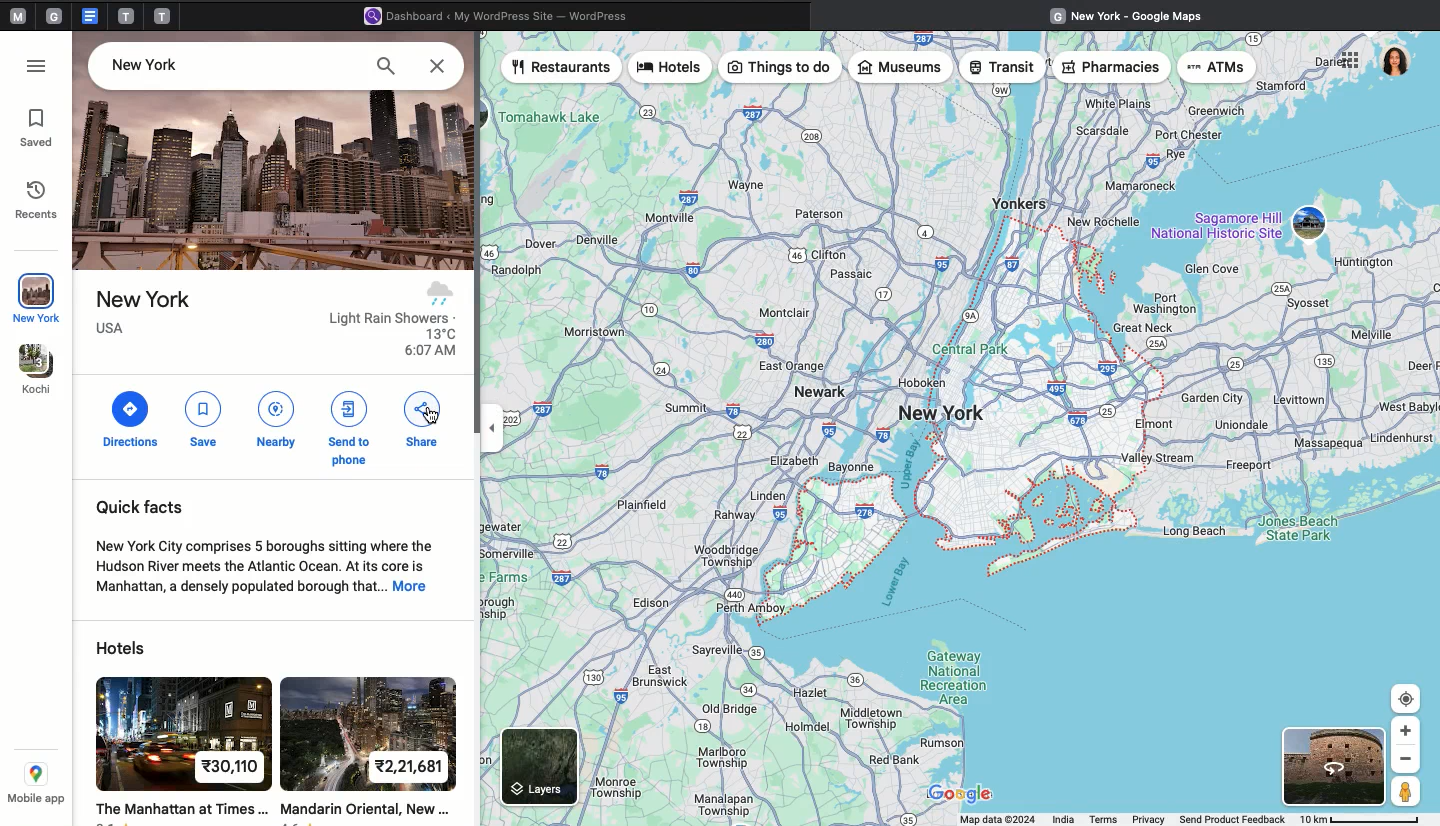 This screenshot has height=826, width=1440. What do you see at coordinates (434, 66) in the screenshot?
I see `Close` at bounding box center [434, 66].